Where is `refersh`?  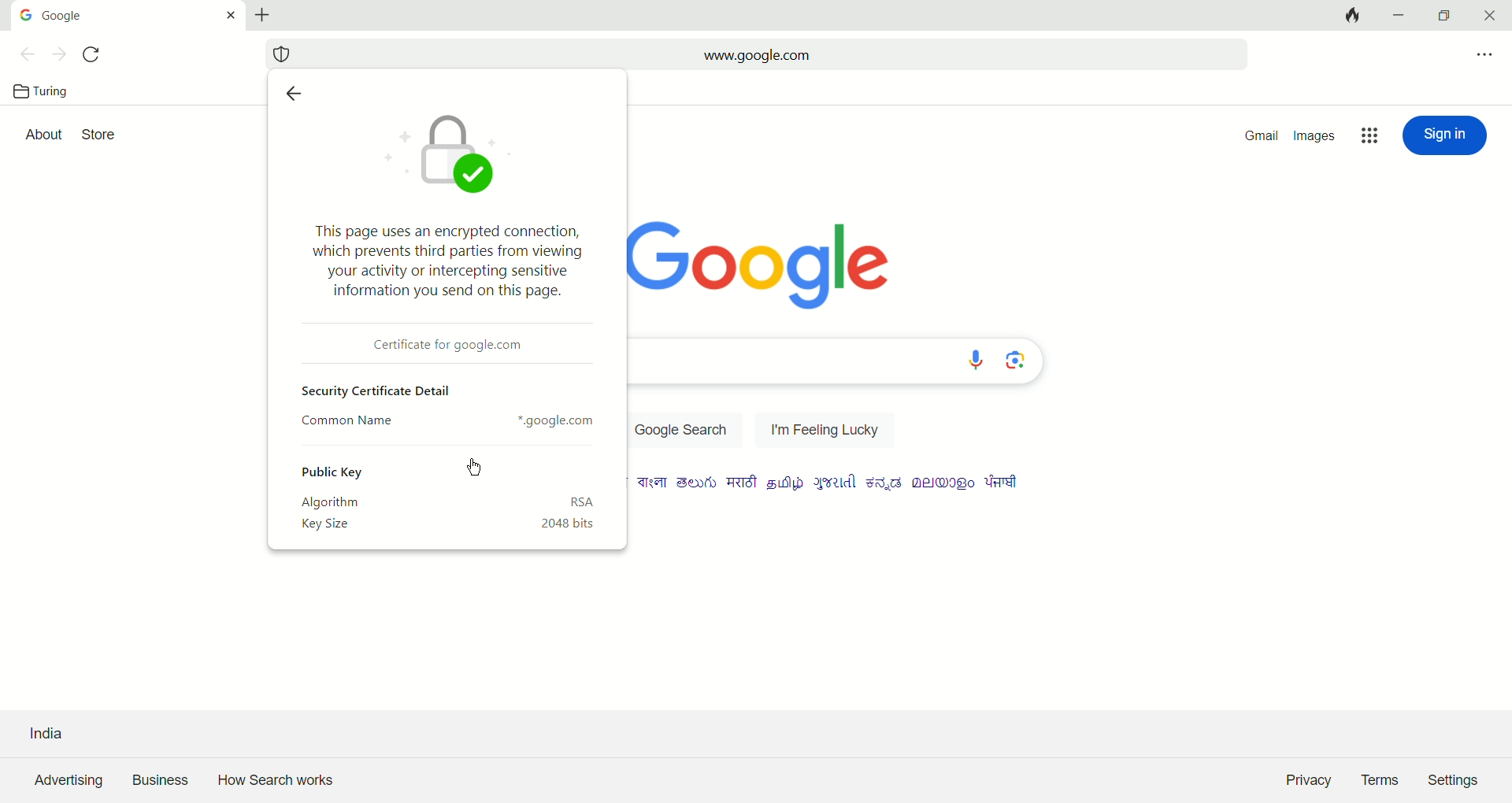
refersh is located at coordinates (95, 55).